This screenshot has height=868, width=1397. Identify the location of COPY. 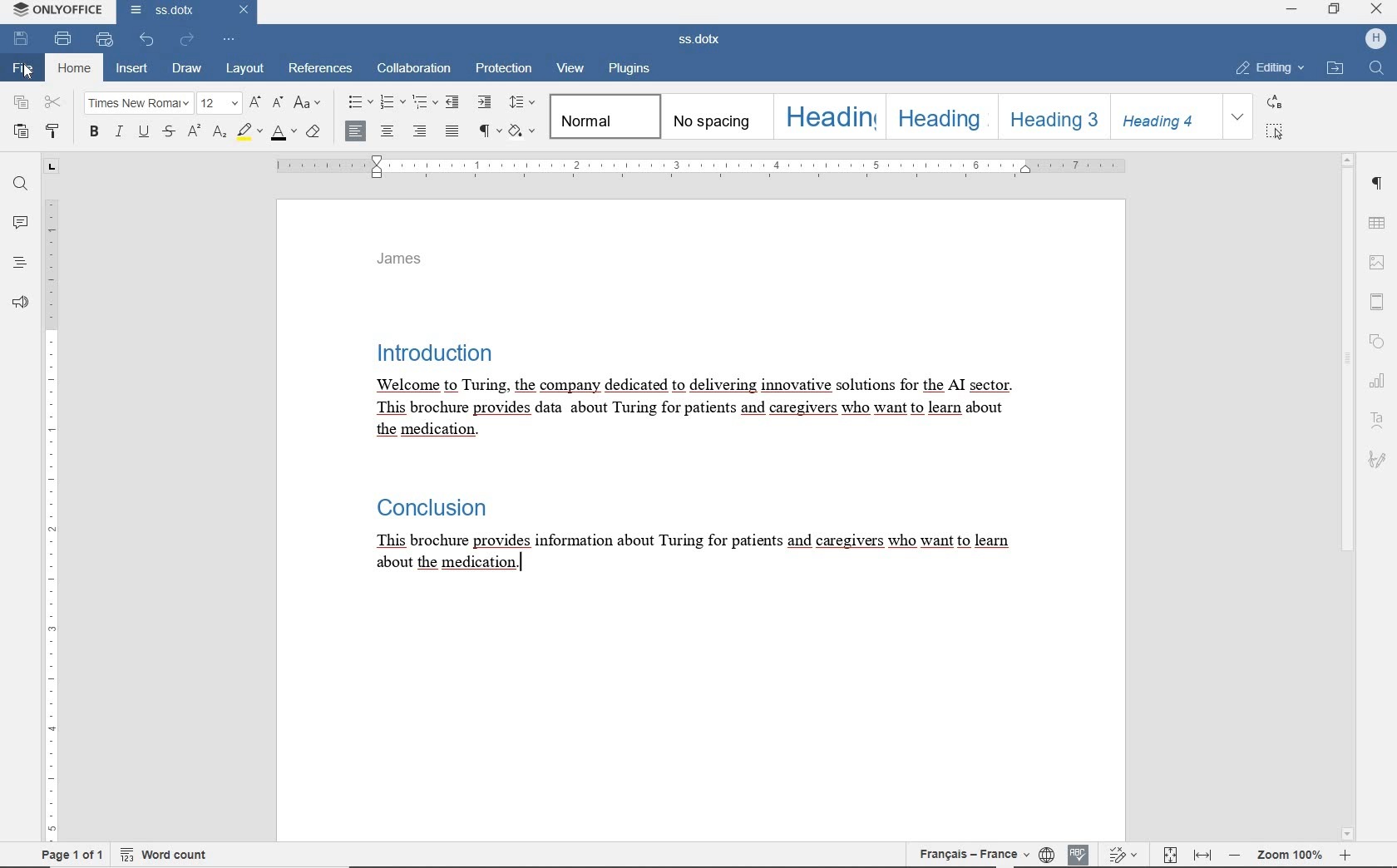
(20, 104).